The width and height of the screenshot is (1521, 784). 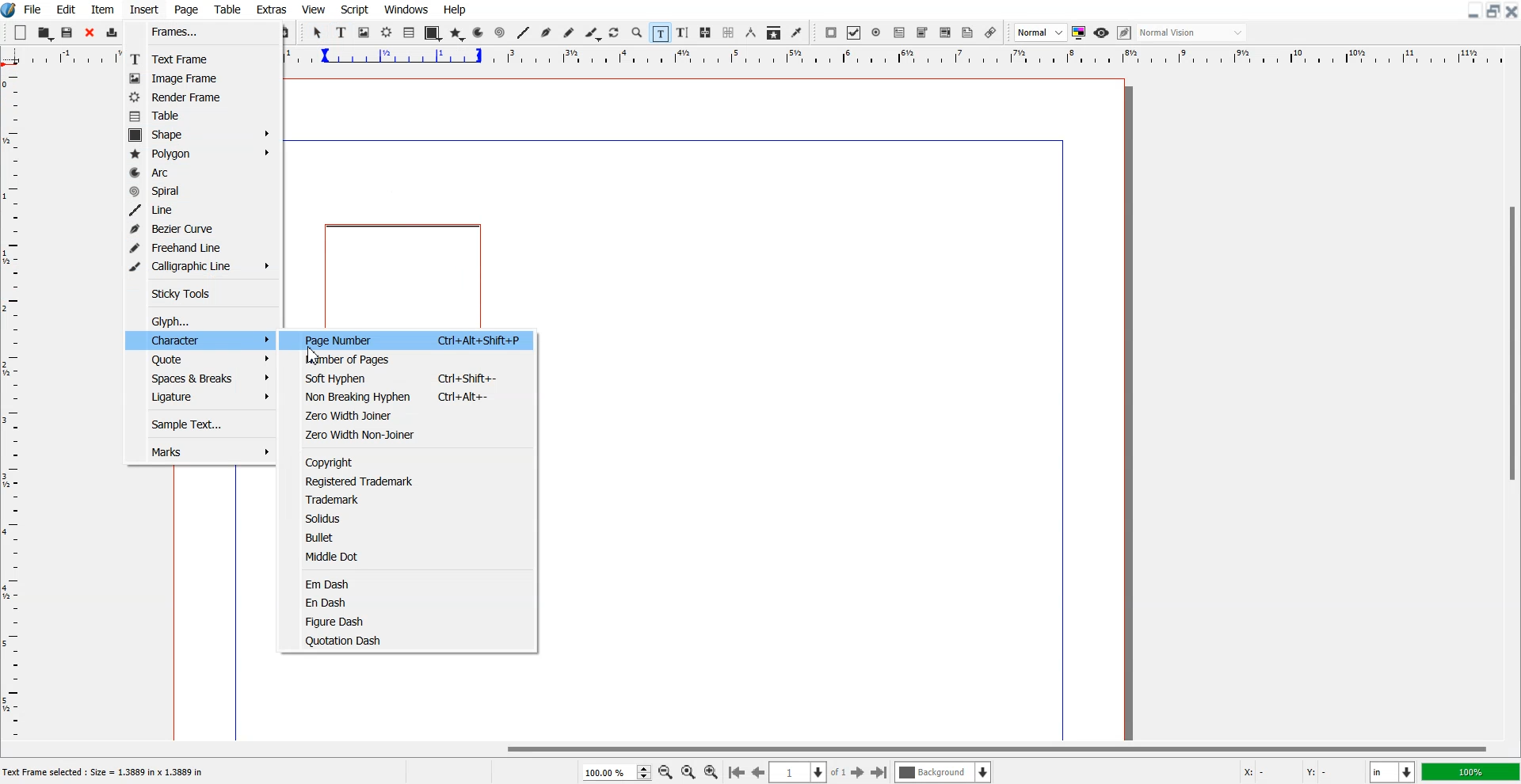 What do you see at coordinates (945, 772) in the screenshot?
I see `Select the current layer` at bounding box center [945, 772].